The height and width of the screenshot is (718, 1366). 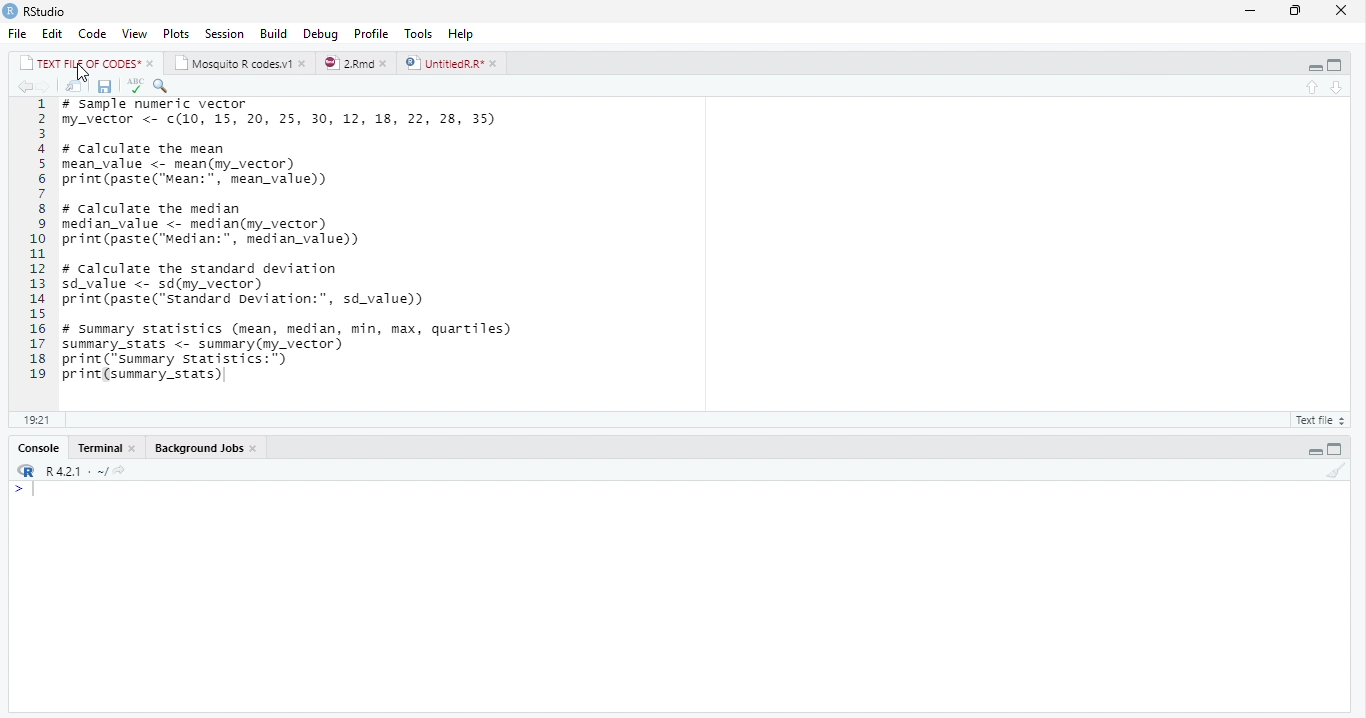 I want to click on minimize, so click(x=1314, y=451).